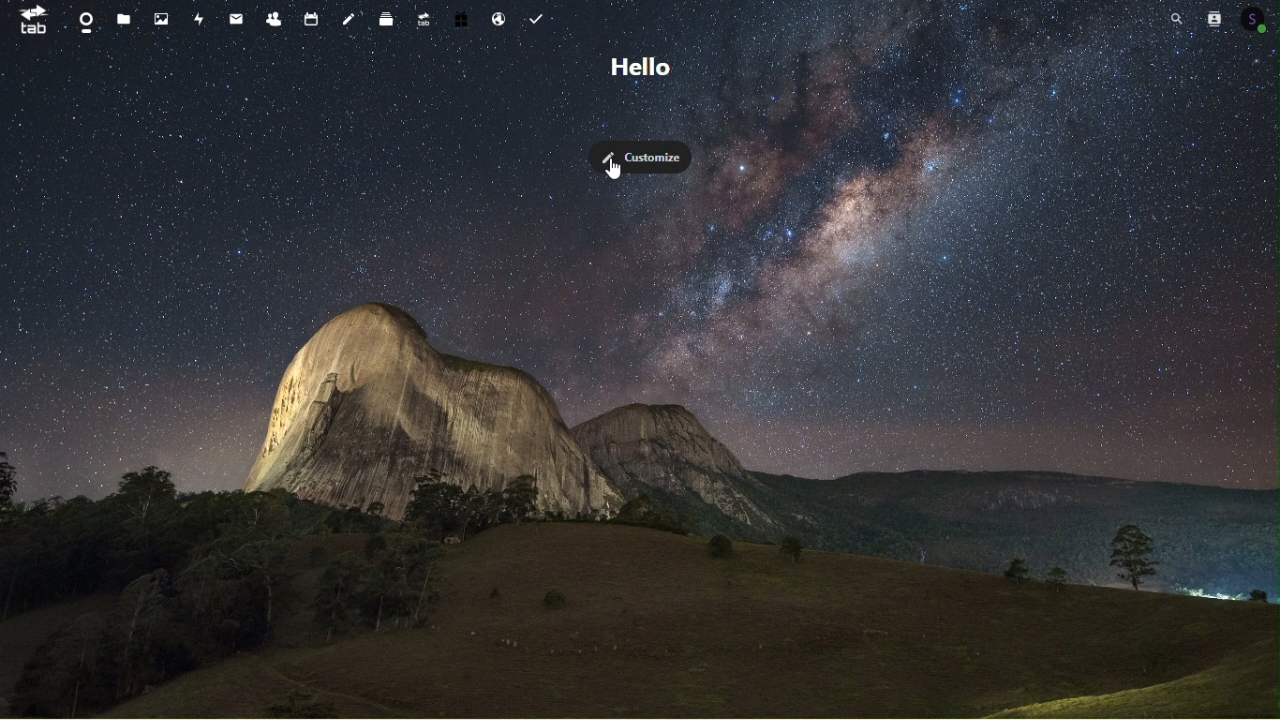  I want to click on Email hosting, so click(498, 15).